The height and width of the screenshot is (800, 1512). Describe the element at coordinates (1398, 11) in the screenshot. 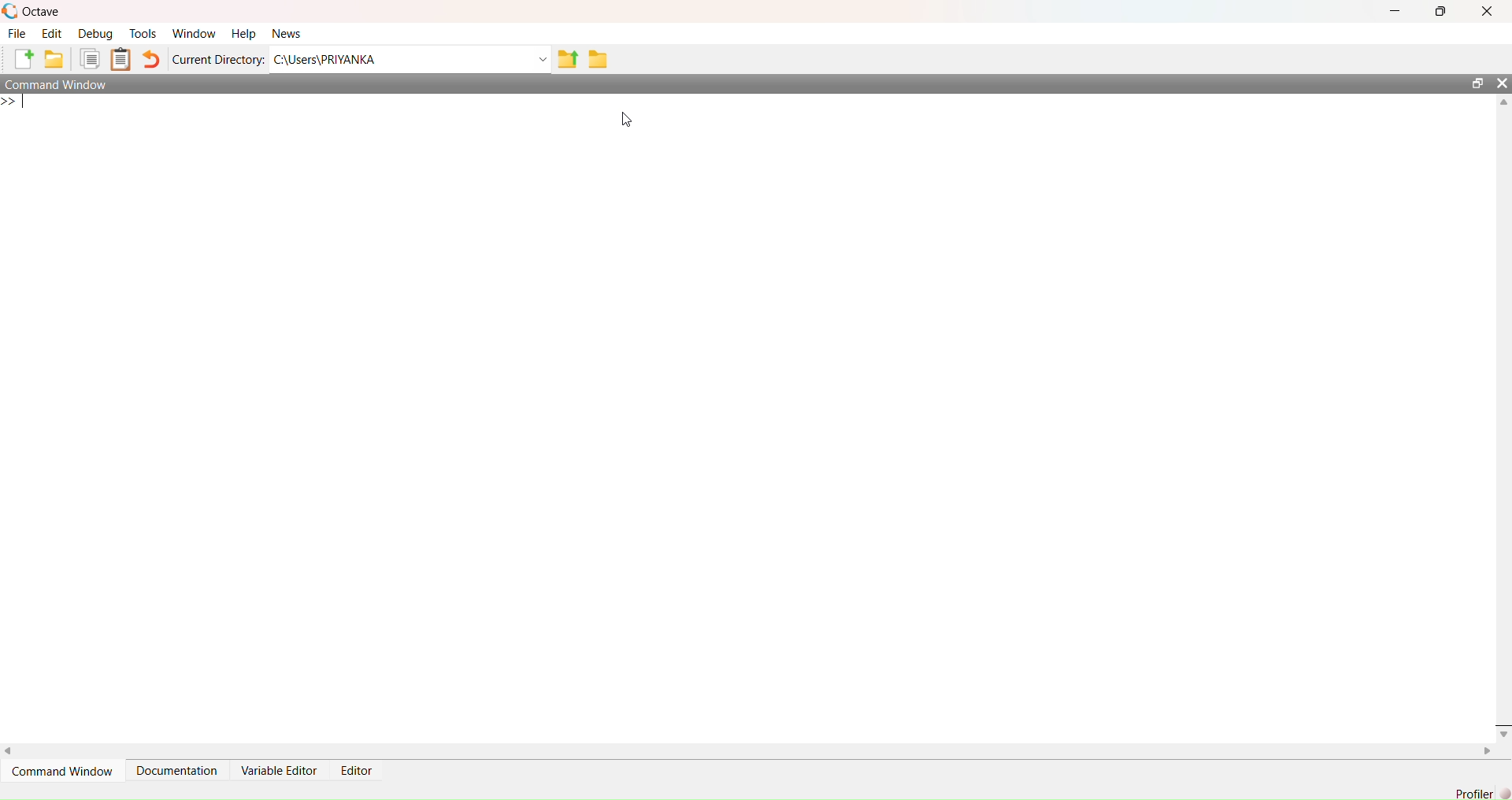

I see `Minimize` at that location.